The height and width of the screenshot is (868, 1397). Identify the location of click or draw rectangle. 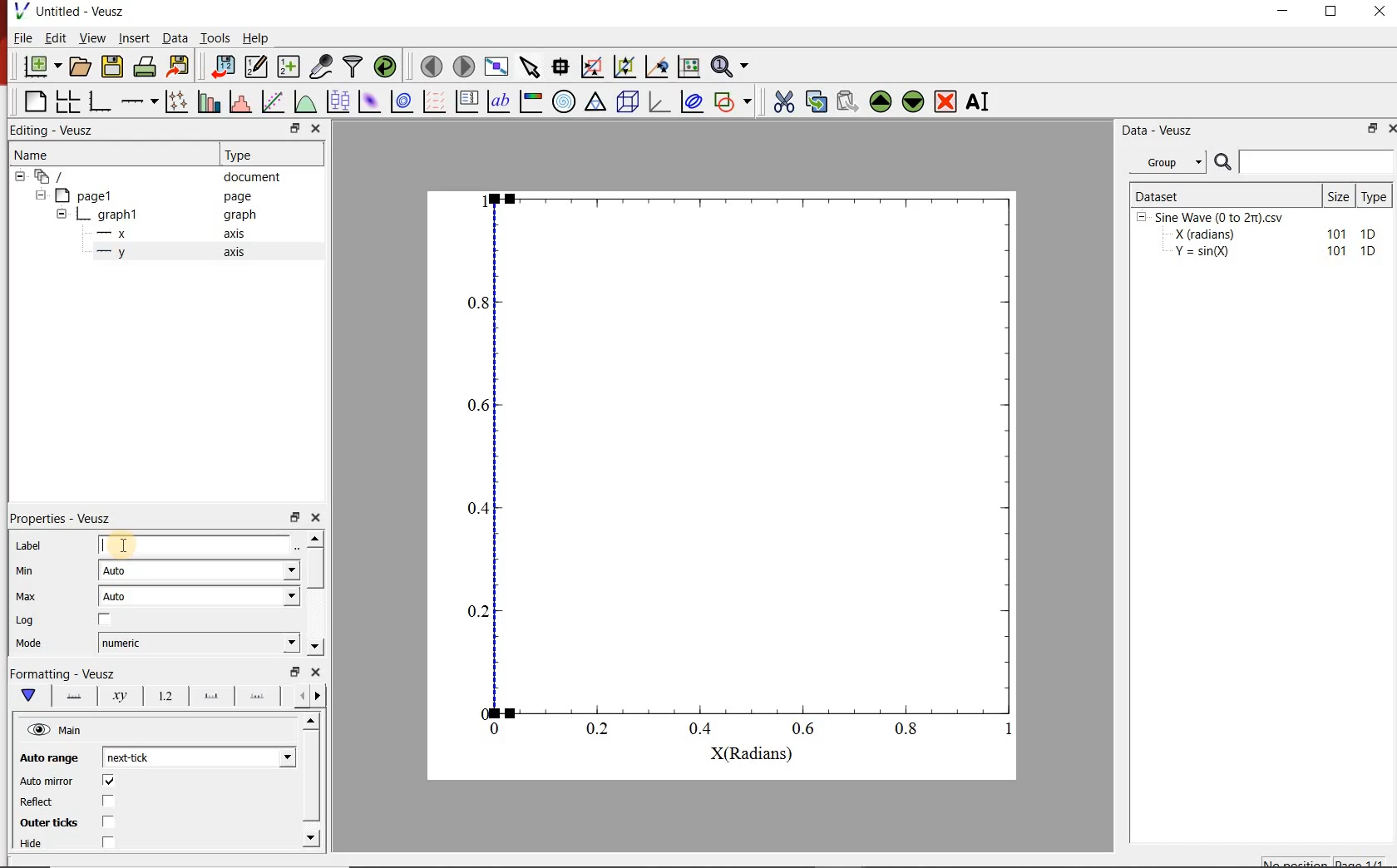
(592, 65).